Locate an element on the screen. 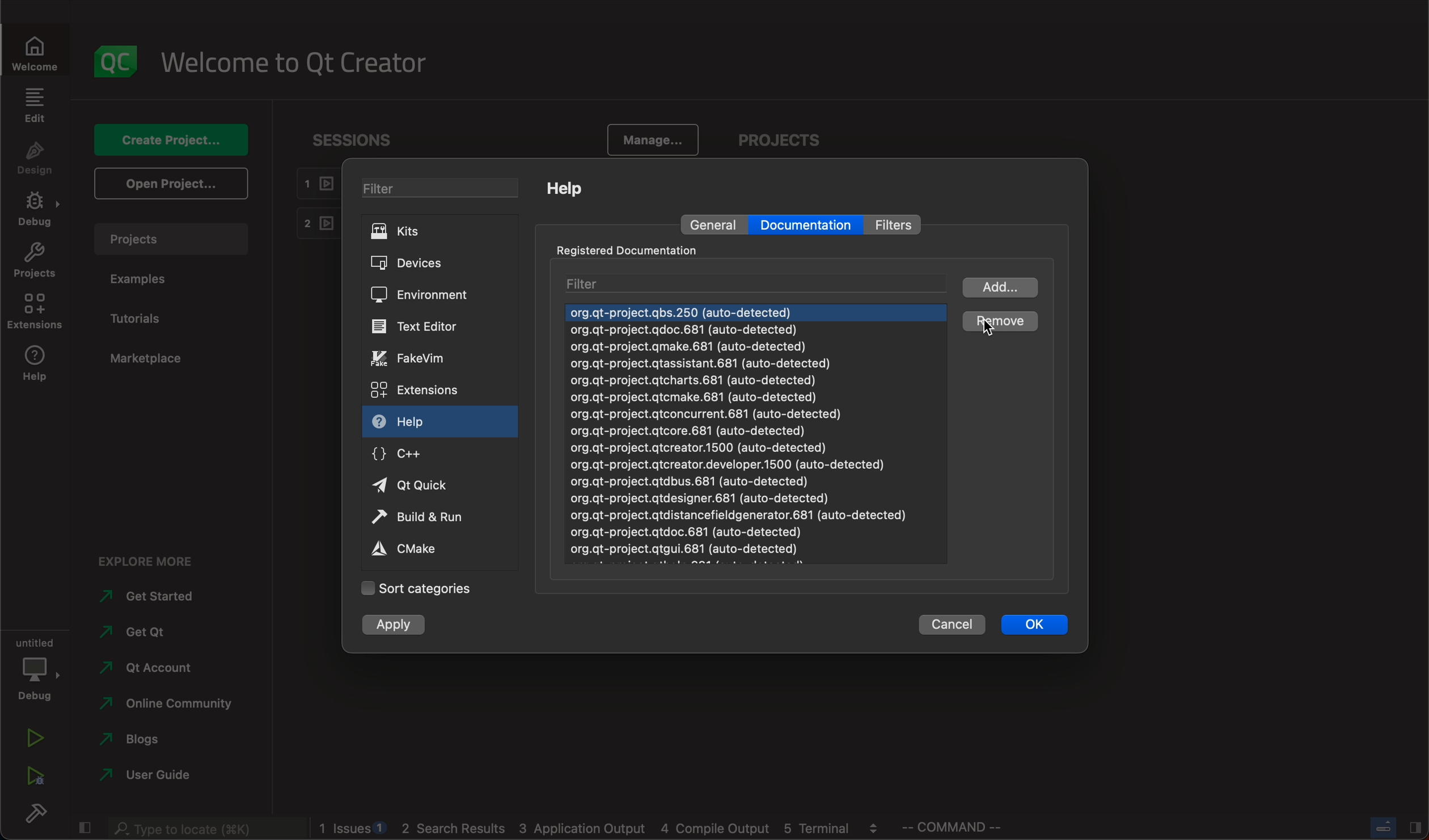 The width and height of the screenshot is (1429, 840). close slide bar is located at coordinates (1390, 828).